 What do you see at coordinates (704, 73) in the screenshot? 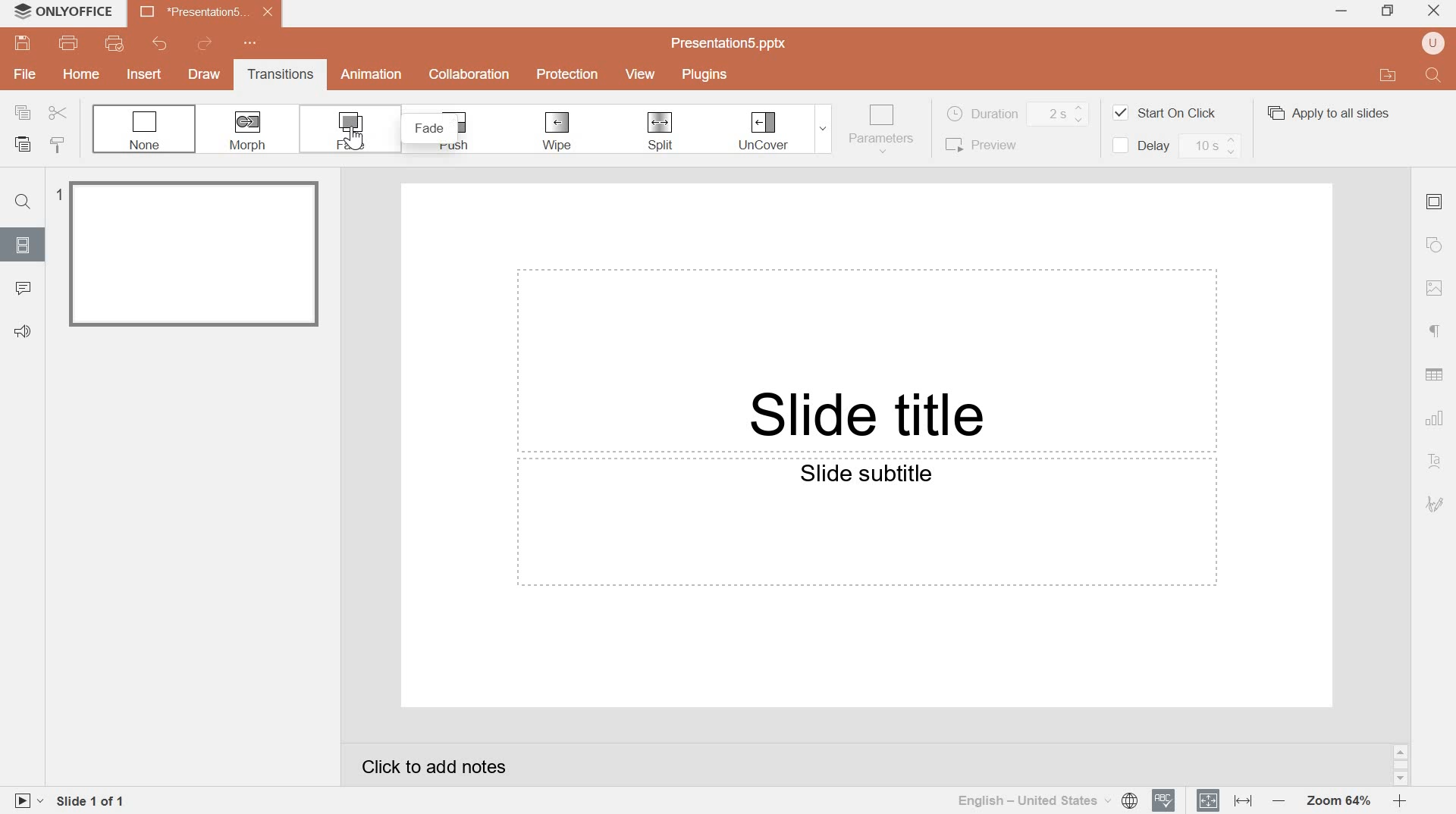
I see `Plugins` at bounding box center [704, 73].